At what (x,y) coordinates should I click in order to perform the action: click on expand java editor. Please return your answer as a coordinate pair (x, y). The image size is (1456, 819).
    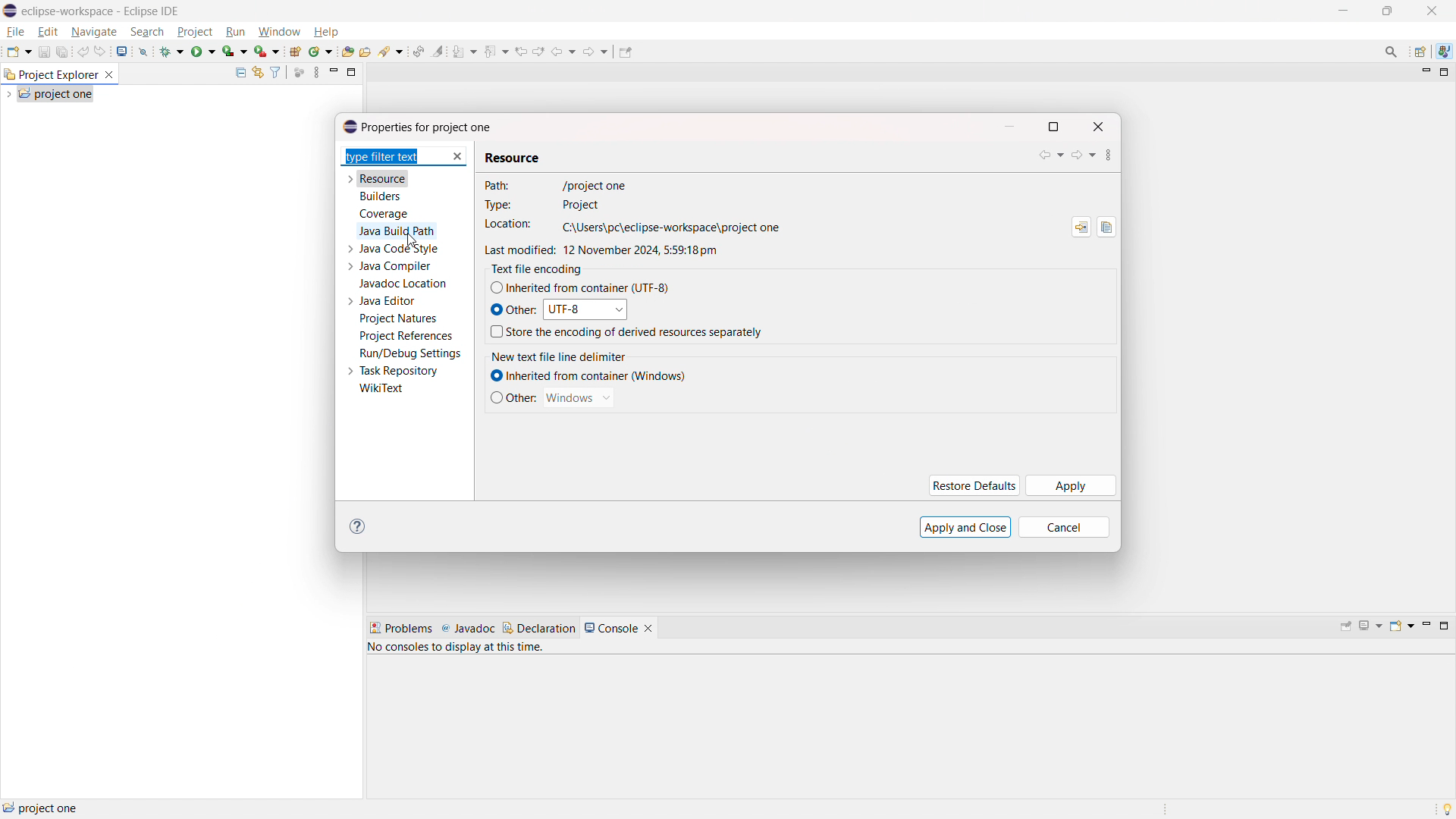
    Looking at the image, I should click on (350, 301).